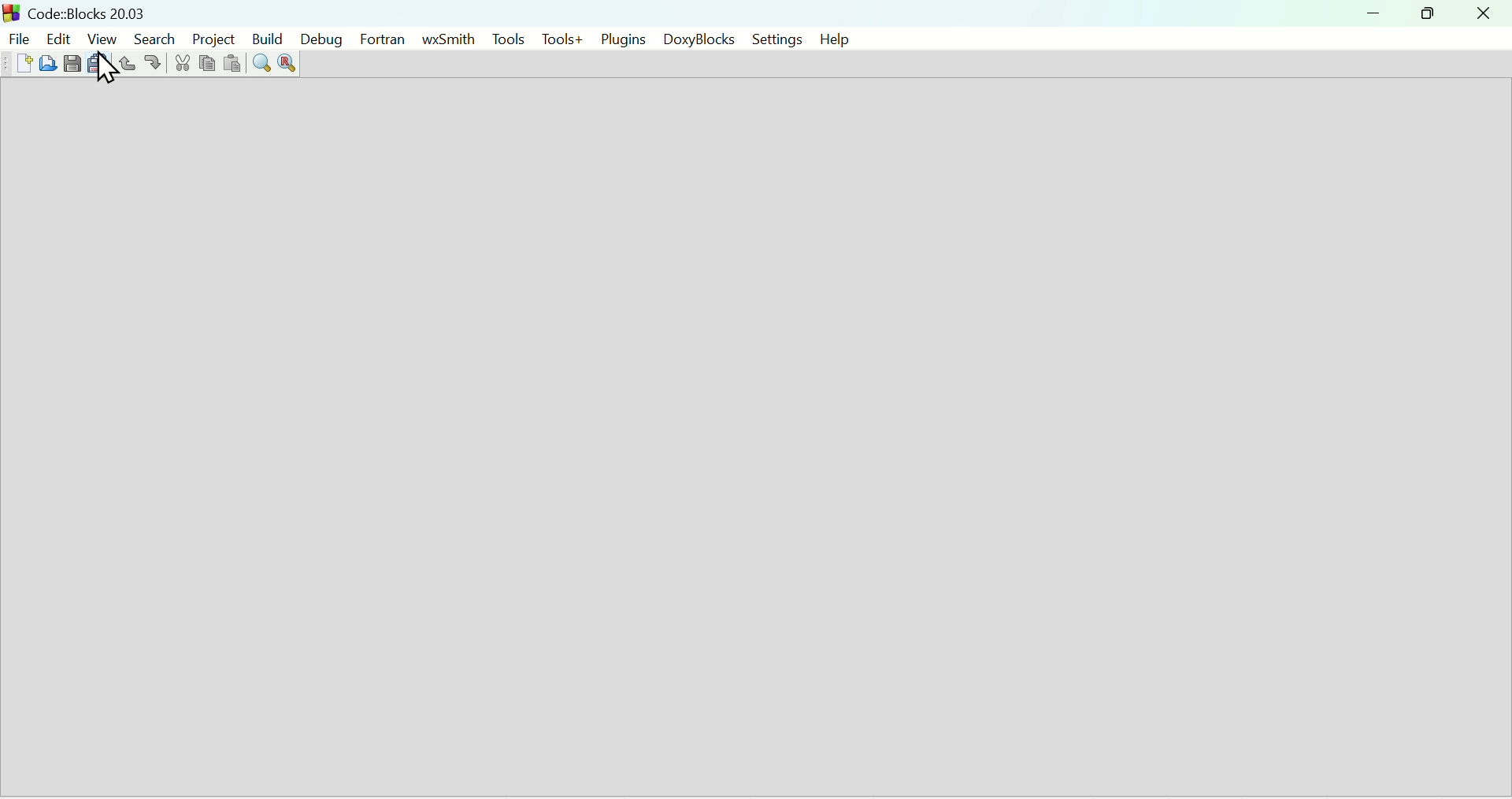  Describe the element at coordinates (770, 39) in the screenshot. I see ` Settings` at that location.